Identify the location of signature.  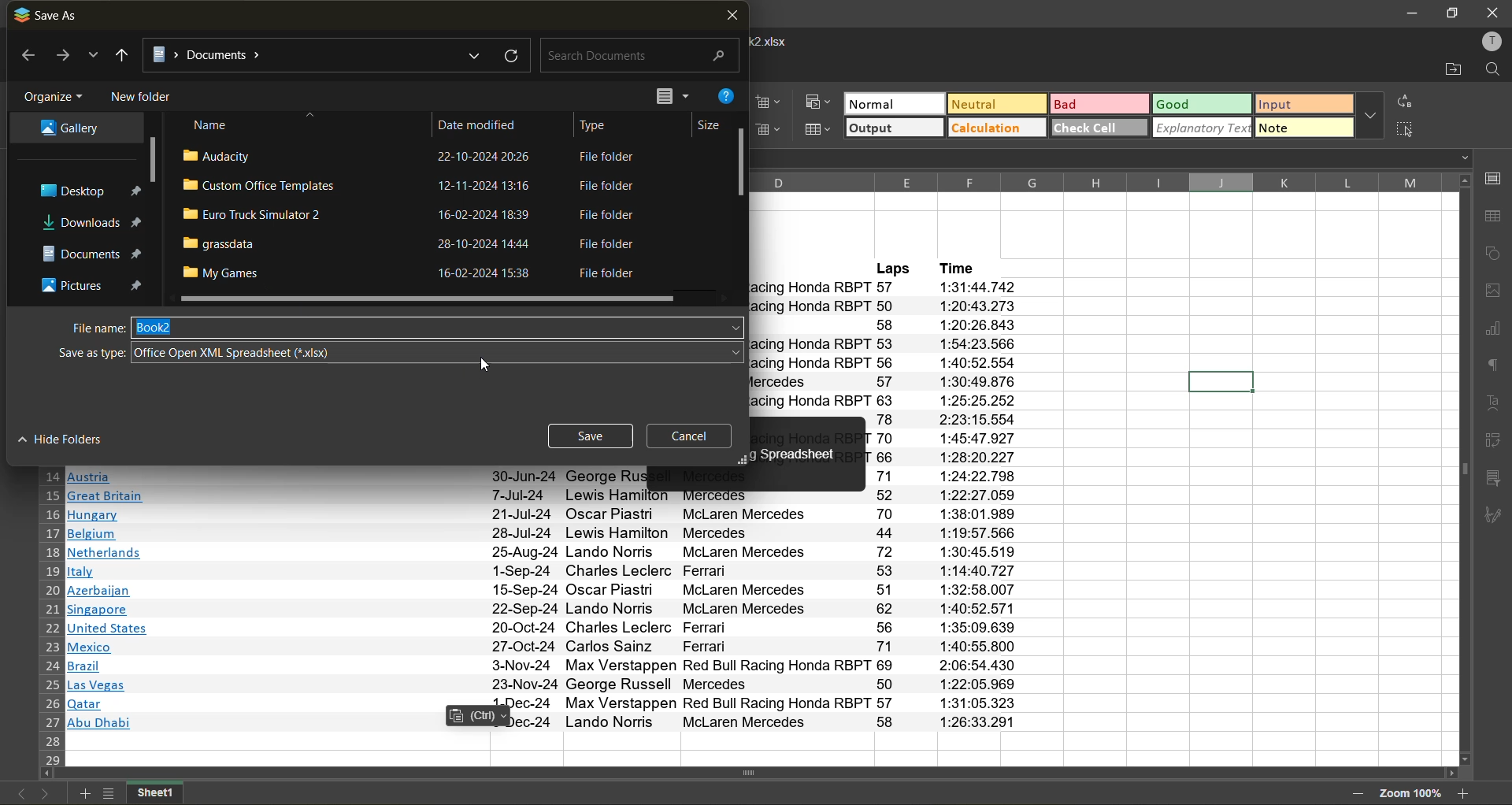
(1497, 518).